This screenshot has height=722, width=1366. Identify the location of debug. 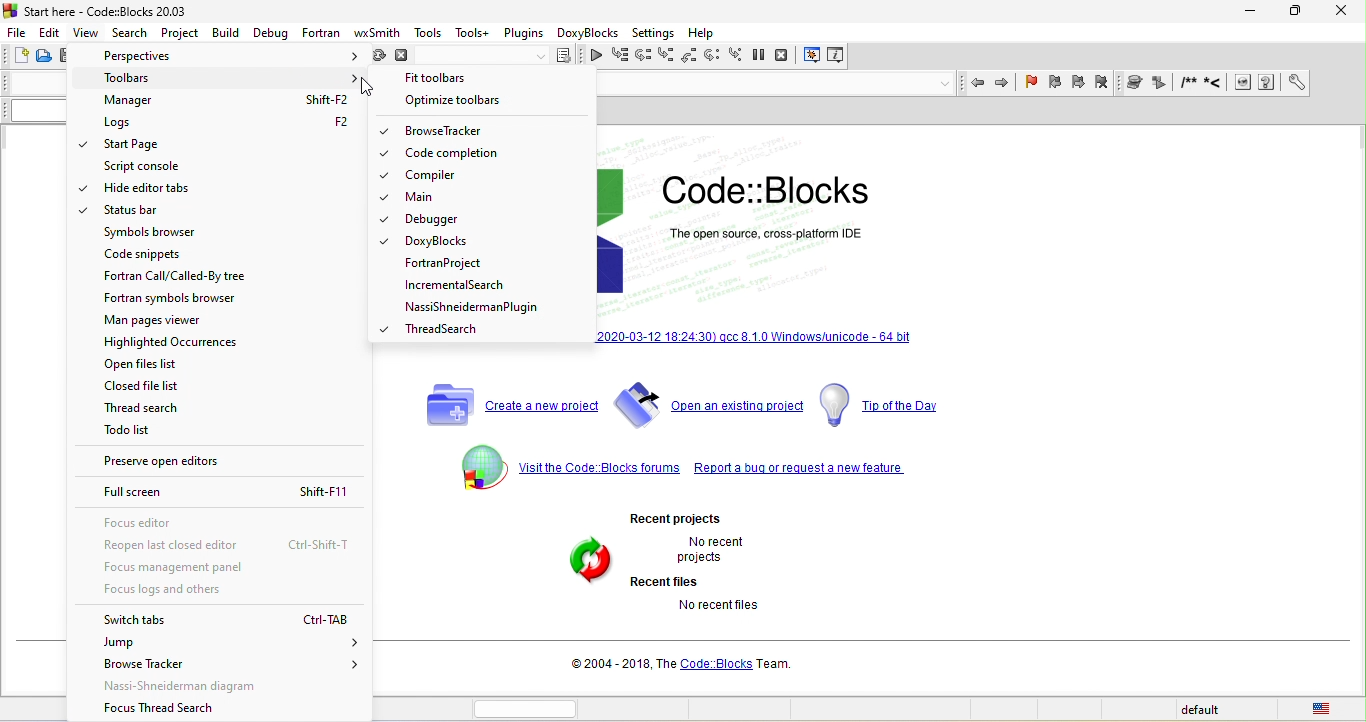
(267, 32).